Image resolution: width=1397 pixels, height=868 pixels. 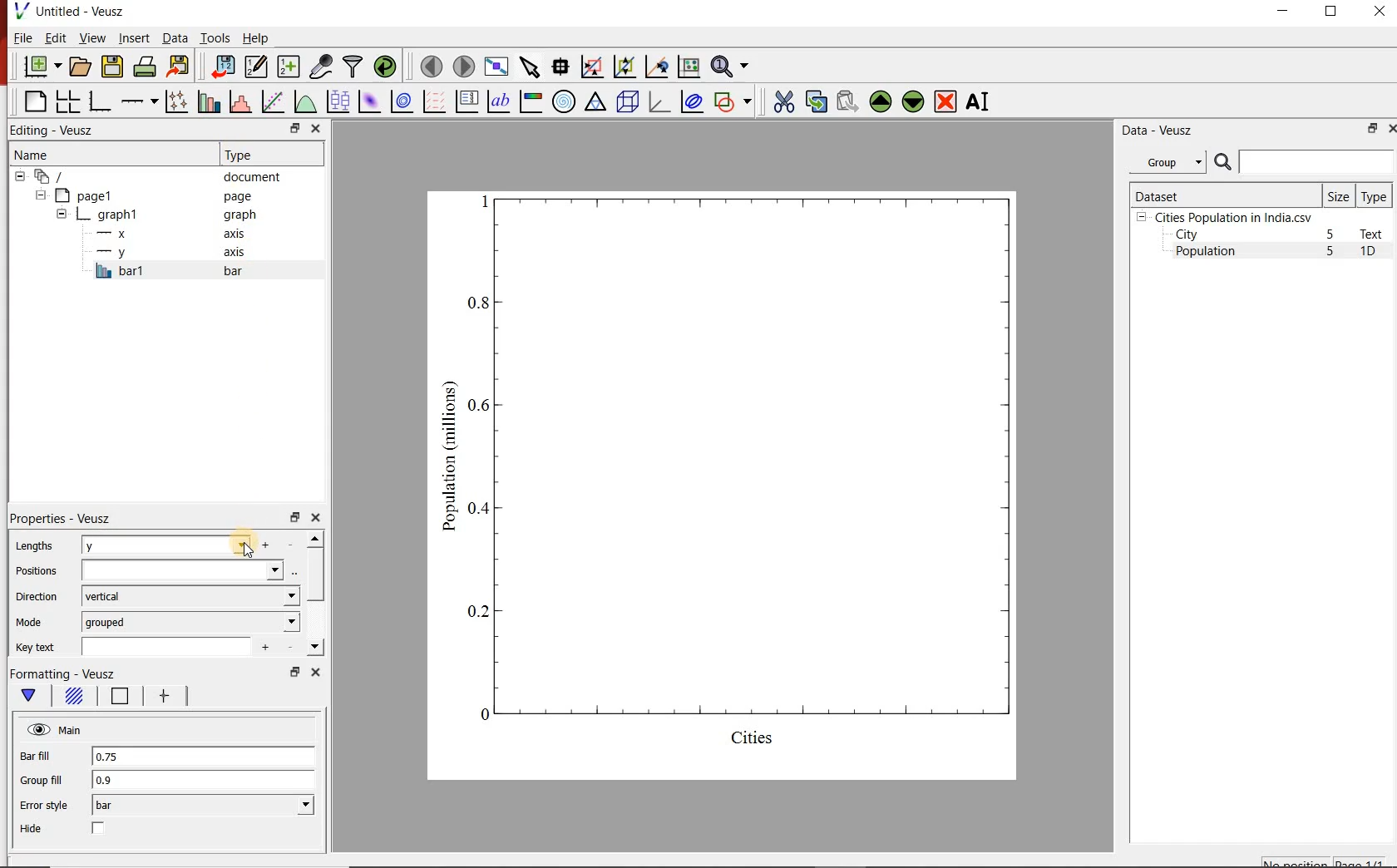 What do you see at coordinates (179, 67) in the screenshot?
I see `export to graphics format` at bounding box center [179, 67].